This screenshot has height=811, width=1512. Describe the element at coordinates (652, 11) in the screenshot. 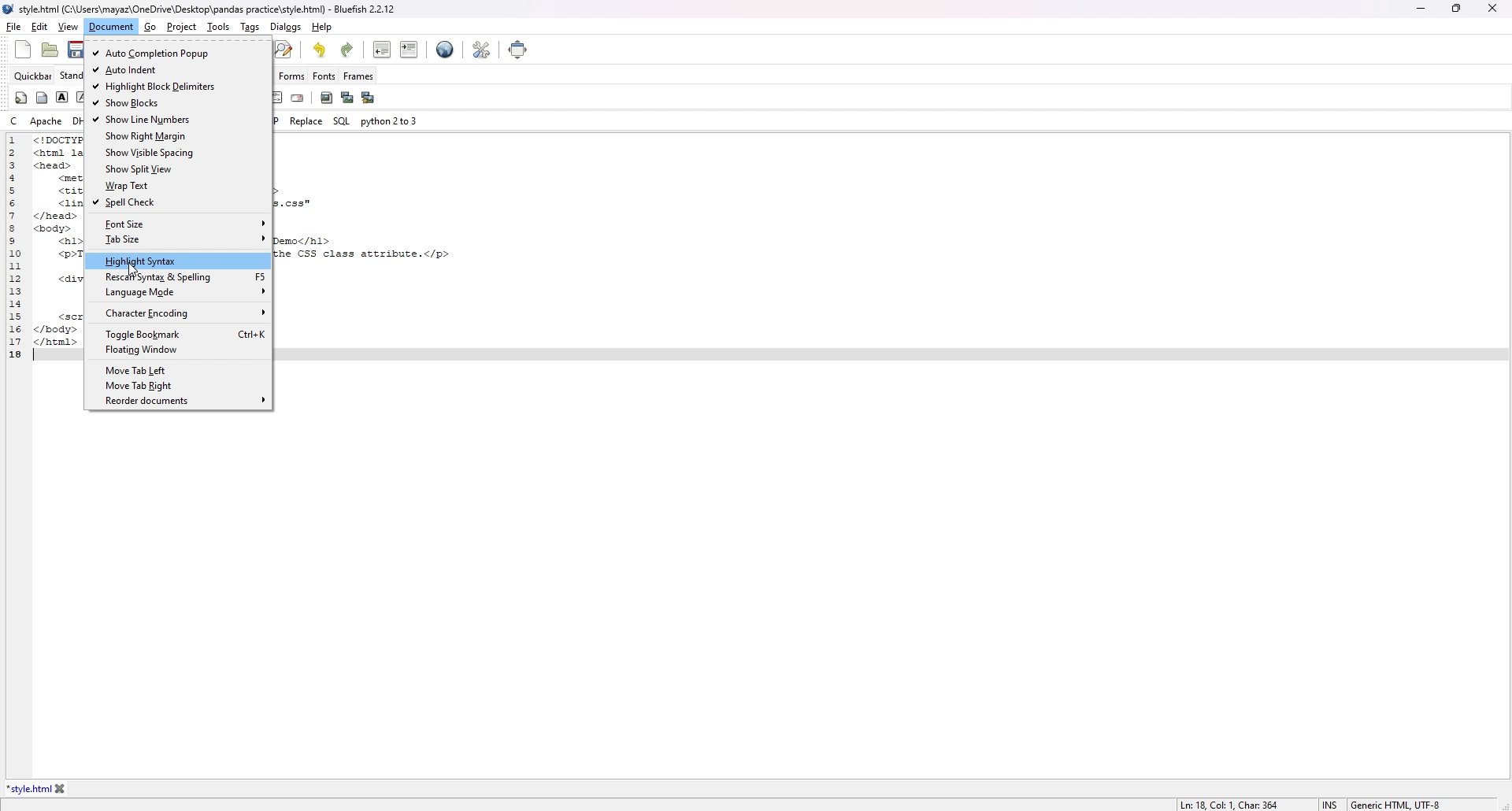

I see `` at that location.